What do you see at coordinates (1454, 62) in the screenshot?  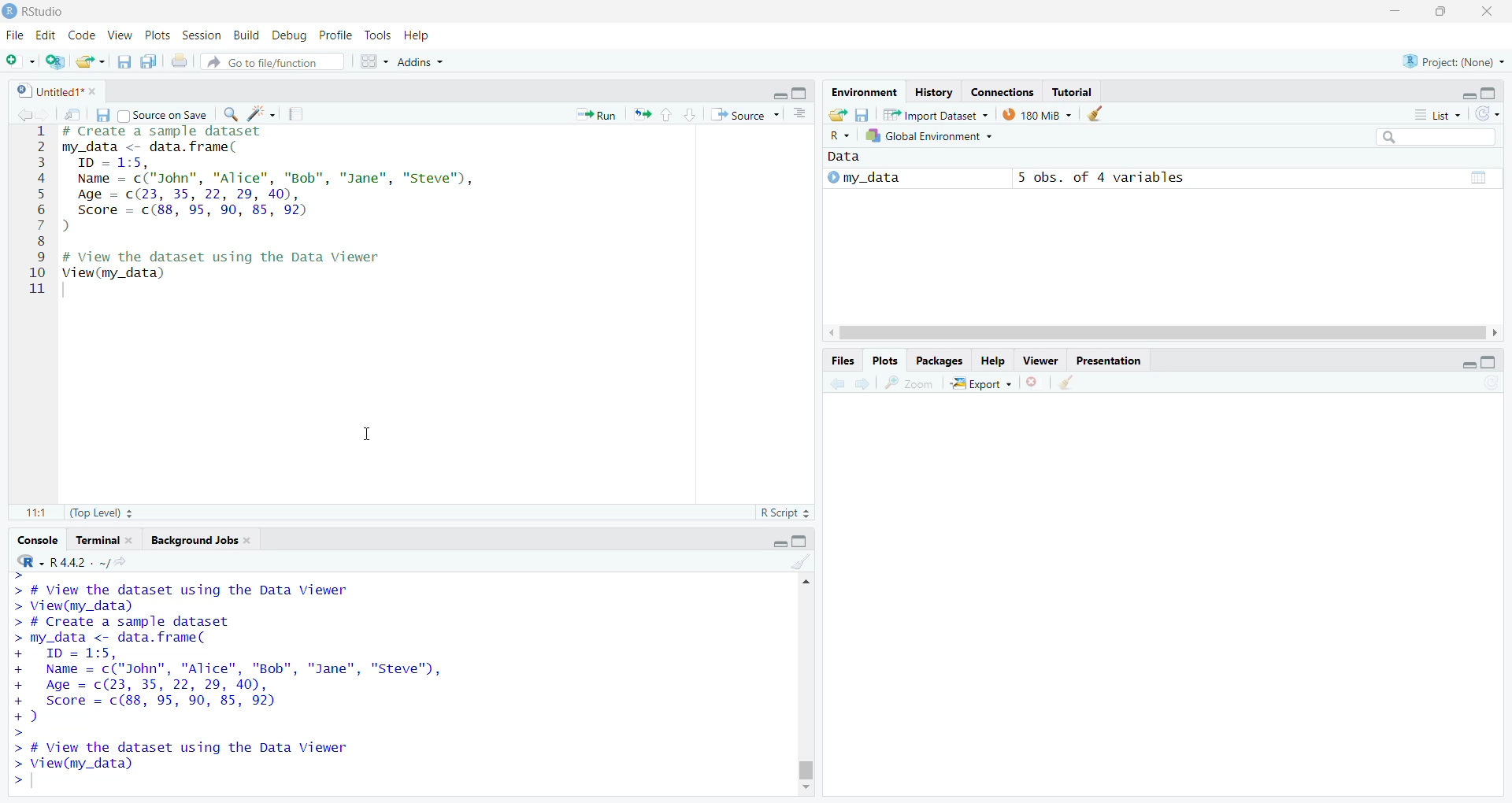 I see `Project (None)` at bounding box center [1454, 62].